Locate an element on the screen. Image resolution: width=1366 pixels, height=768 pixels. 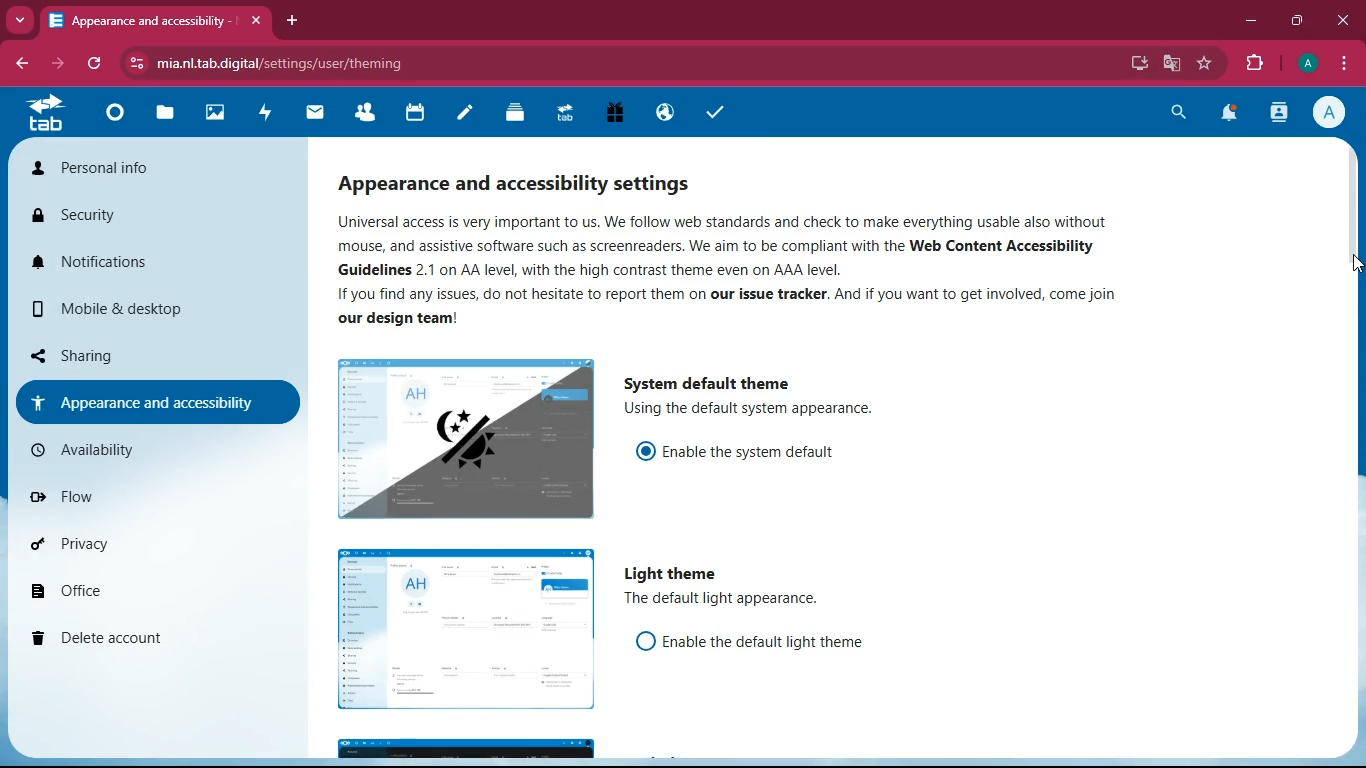
office is located at coordinates (140, 589).